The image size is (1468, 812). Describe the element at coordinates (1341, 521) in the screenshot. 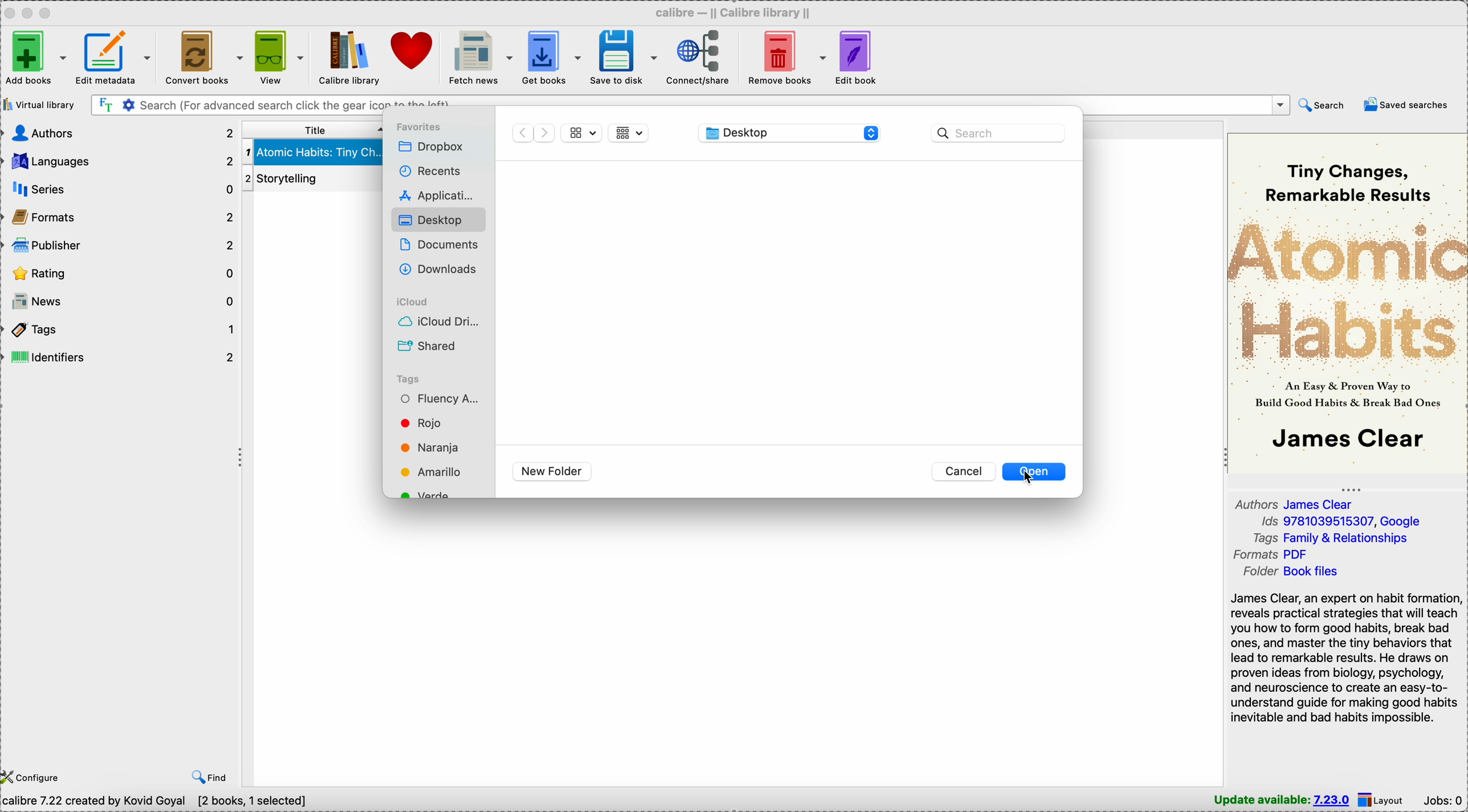

I see `Ids 9781039515307, Google` at that location.